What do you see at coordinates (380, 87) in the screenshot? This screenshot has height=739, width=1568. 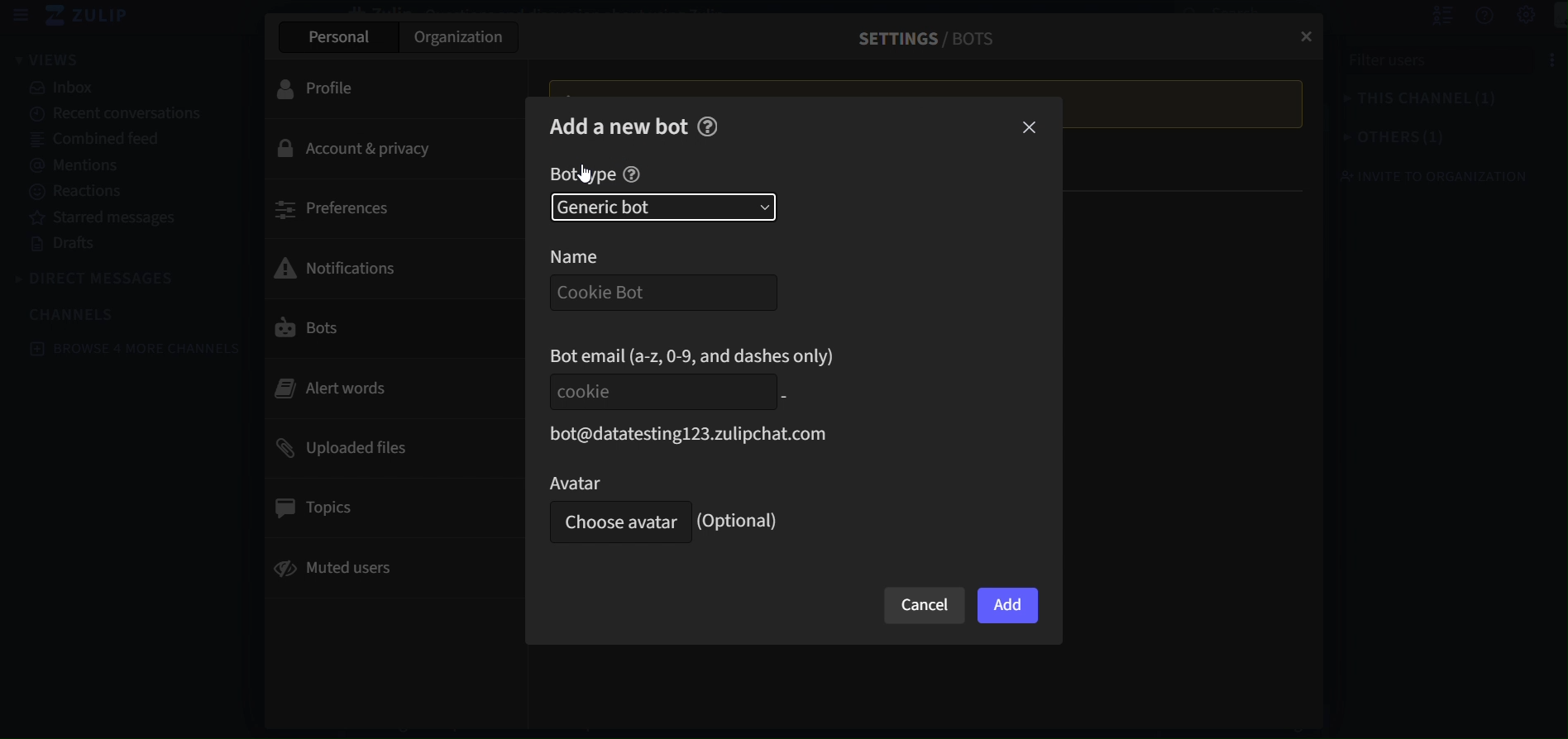 I see `profile` at bounding box center [380, 87].